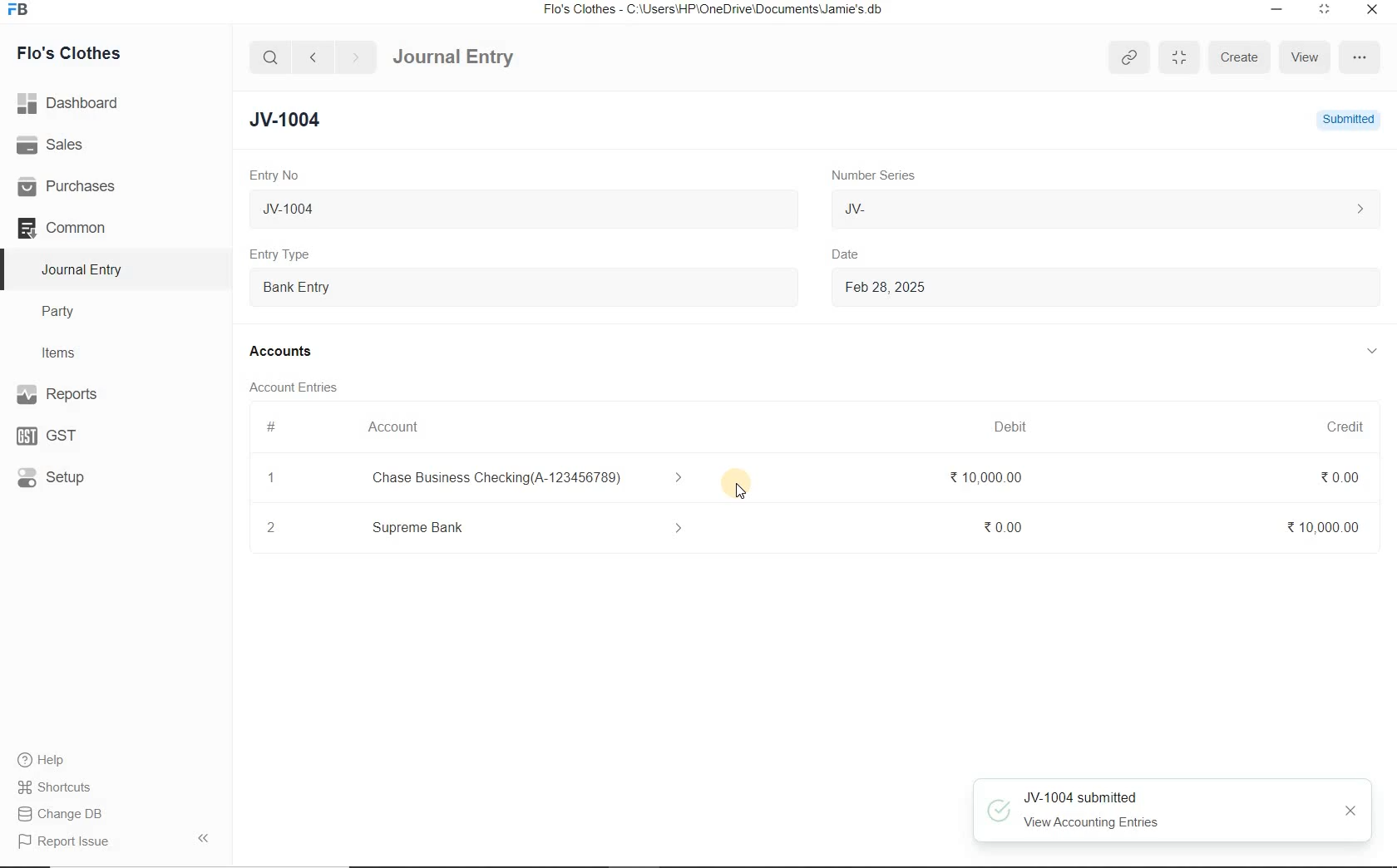 The width and height of the screenshot is (1397, 868). Describe the element at coordinates (313, 56) in the screenshot. I see `back` at that location.